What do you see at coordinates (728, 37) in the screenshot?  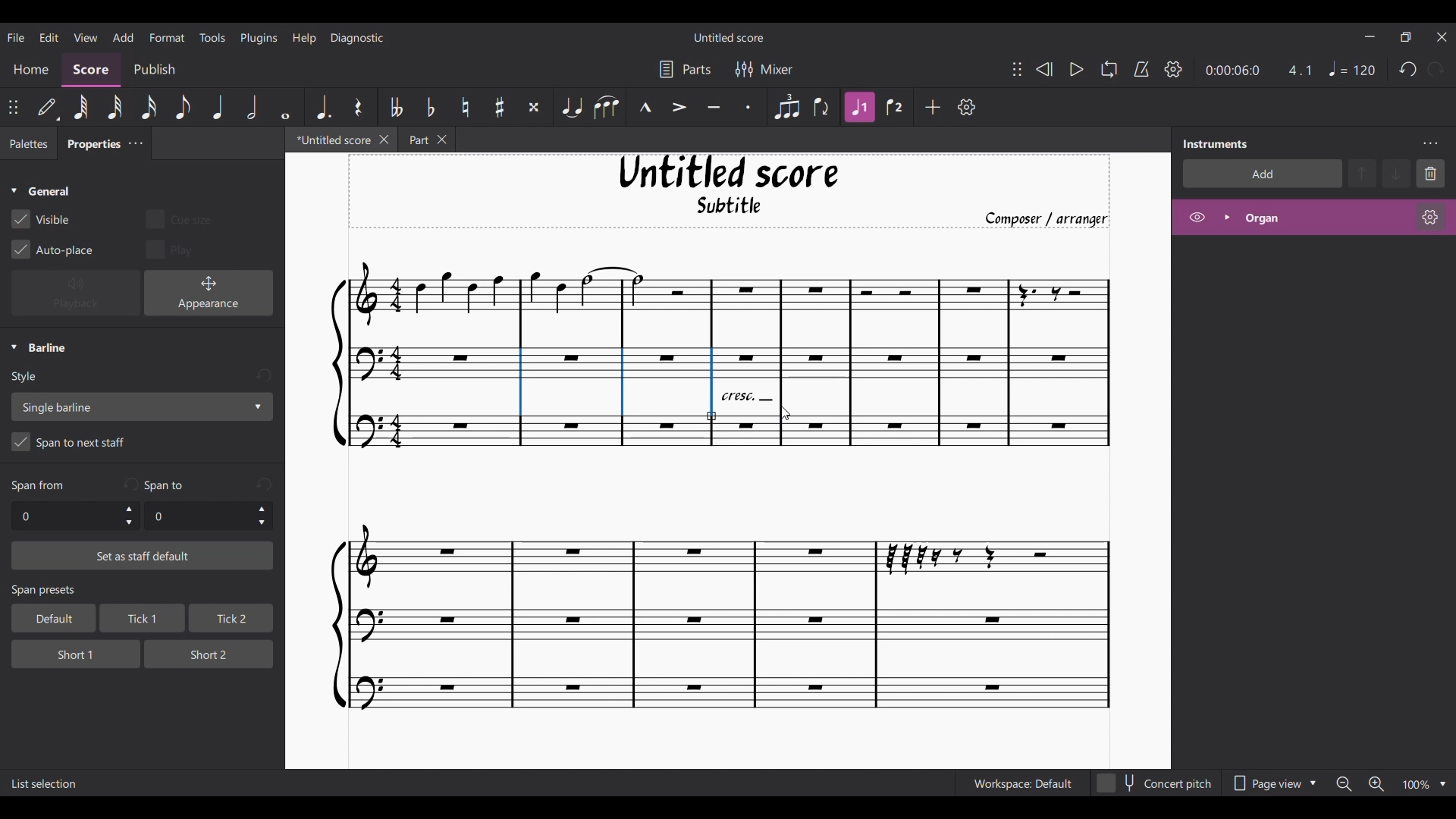 I see `Score title` at bounding box center [728, 37].